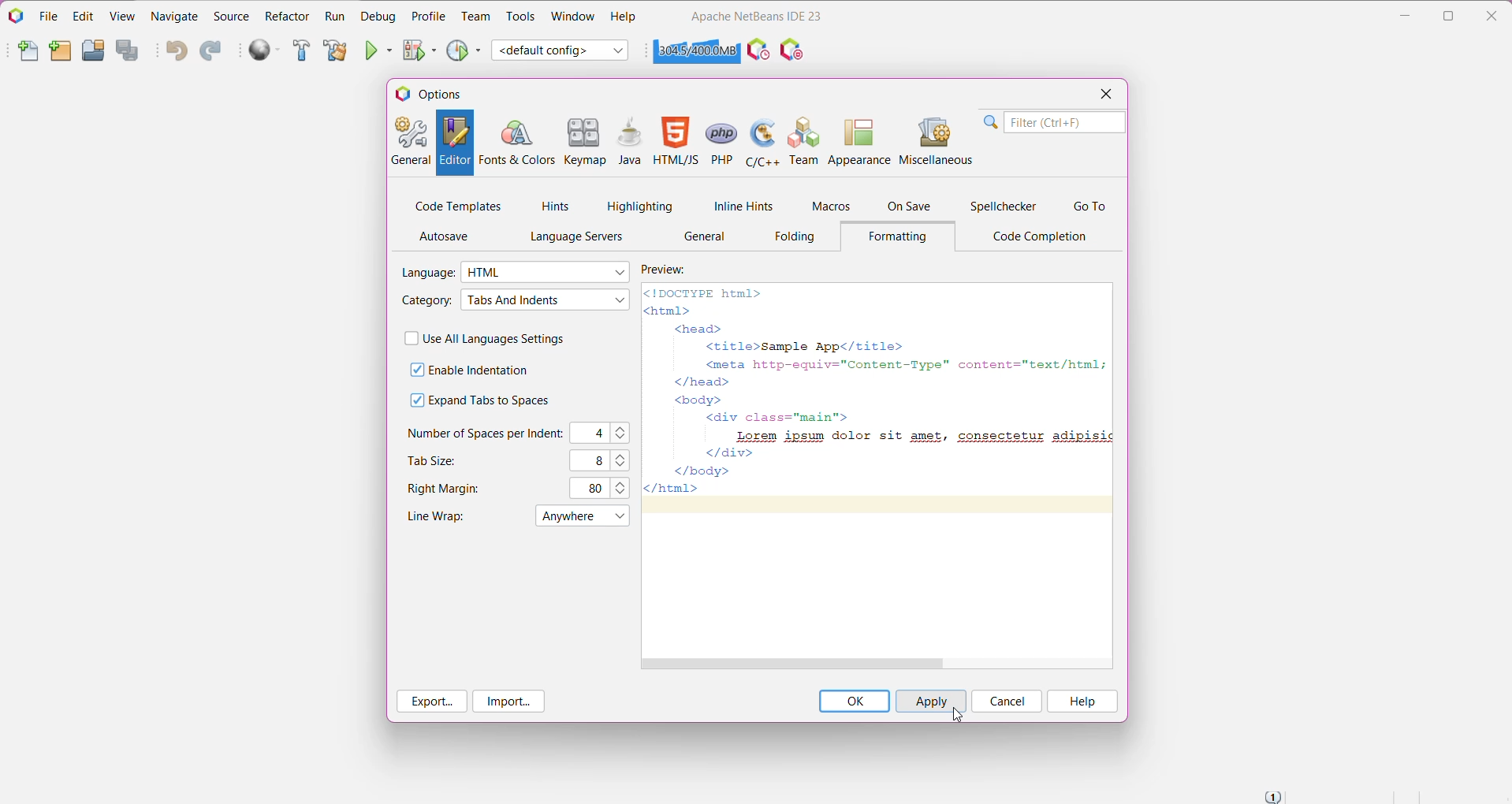  I want to click on On Save, so click(911, 207).